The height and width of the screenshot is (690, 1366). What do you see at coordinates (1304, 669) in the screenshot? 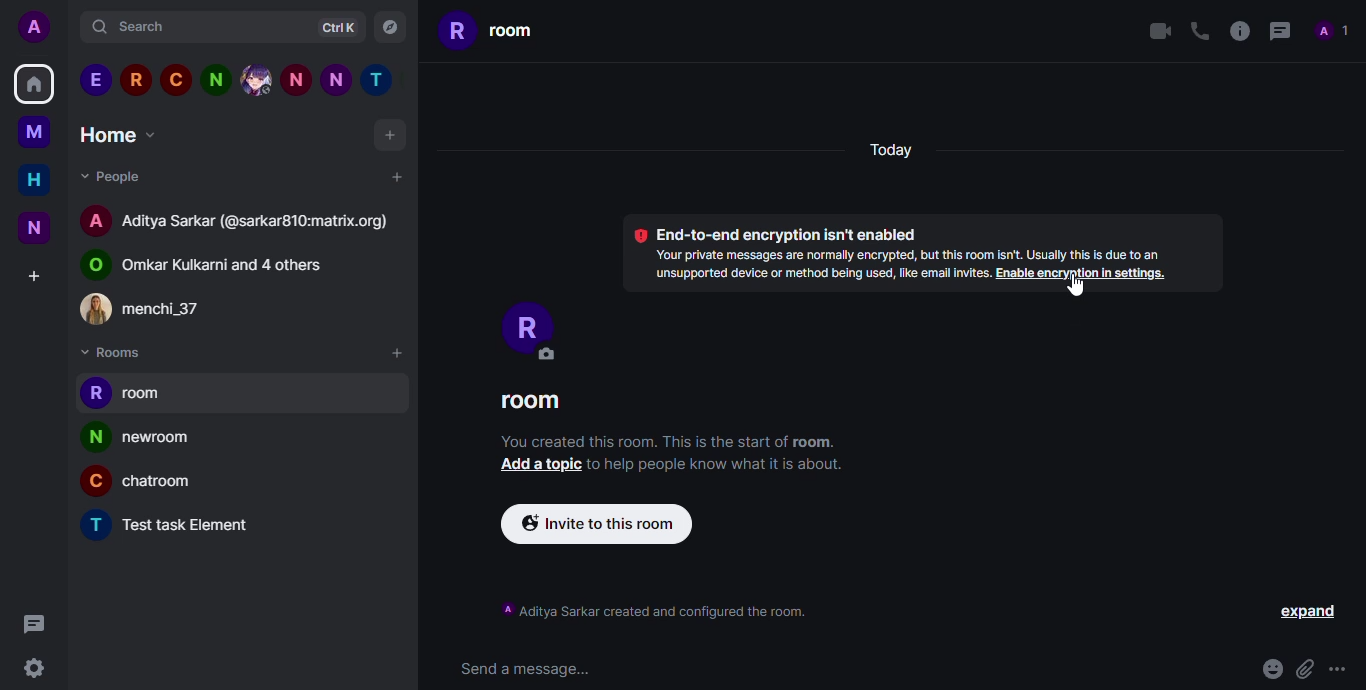
I see `attach` at bounding box center [1304, 669].